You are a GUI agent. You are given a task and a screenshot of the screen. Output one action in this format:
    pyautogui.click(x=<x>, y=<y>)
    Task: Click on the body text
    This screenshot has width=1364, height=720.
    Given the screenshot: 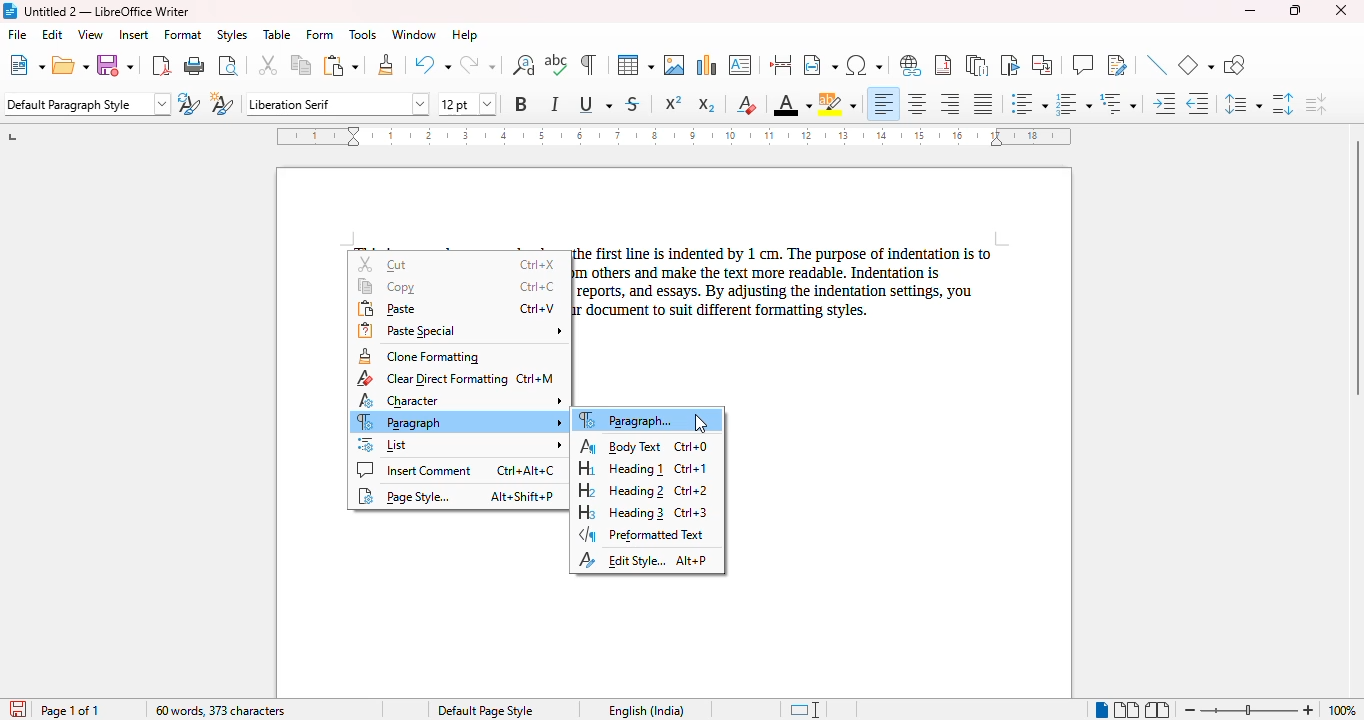 What is the action you would take?
    pyautogui.click(x=644, y=446)
    